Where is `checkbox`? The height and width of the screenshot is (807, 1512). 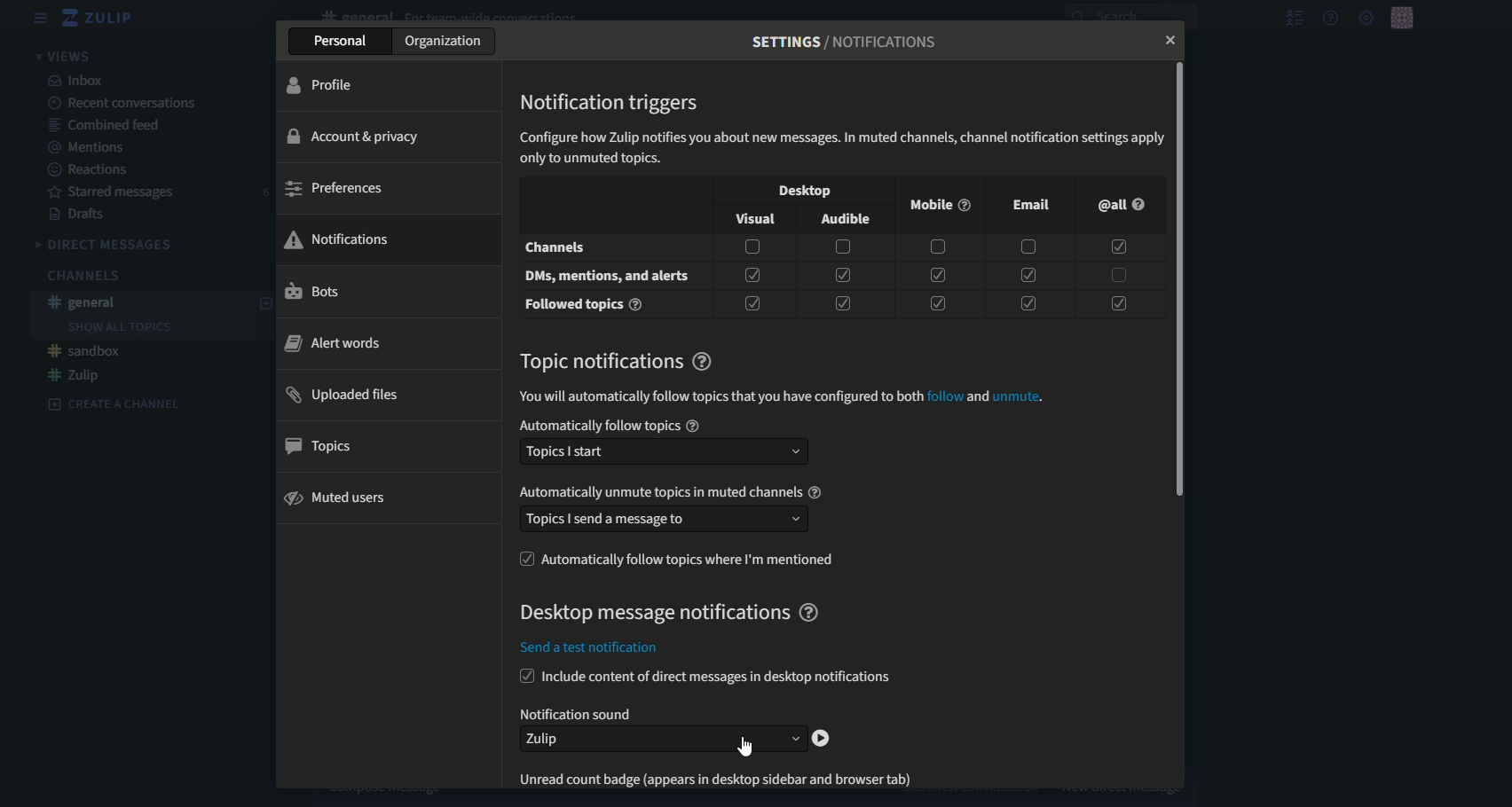
checkbox is located at coordinates (843, 247).